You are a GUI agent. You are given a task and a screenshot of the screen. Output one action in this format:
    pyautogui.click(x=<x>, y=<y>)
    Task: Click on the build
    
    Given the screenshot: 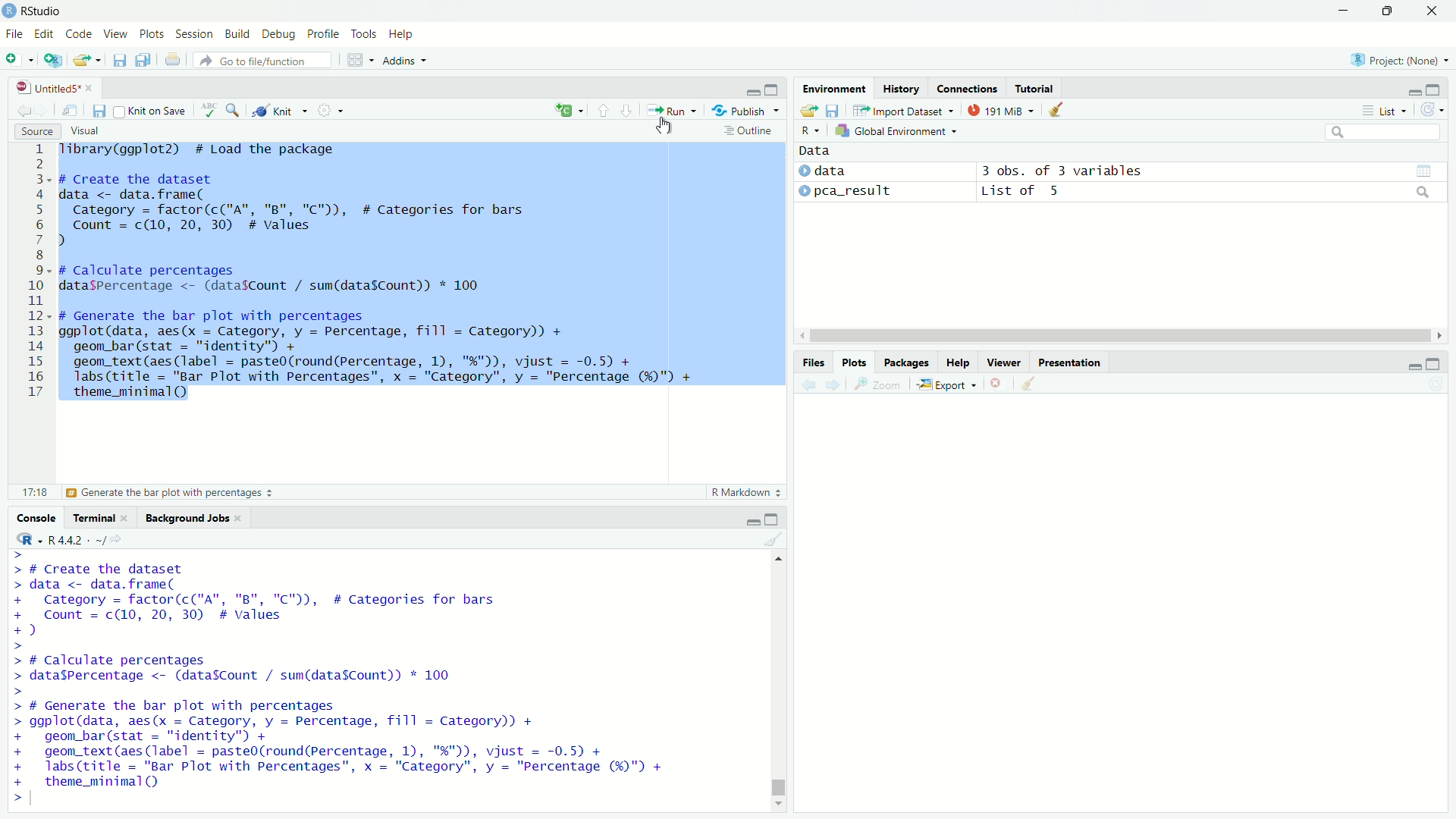 What is the action you would take?
    pyautogui.click(x=241, y=36)
    